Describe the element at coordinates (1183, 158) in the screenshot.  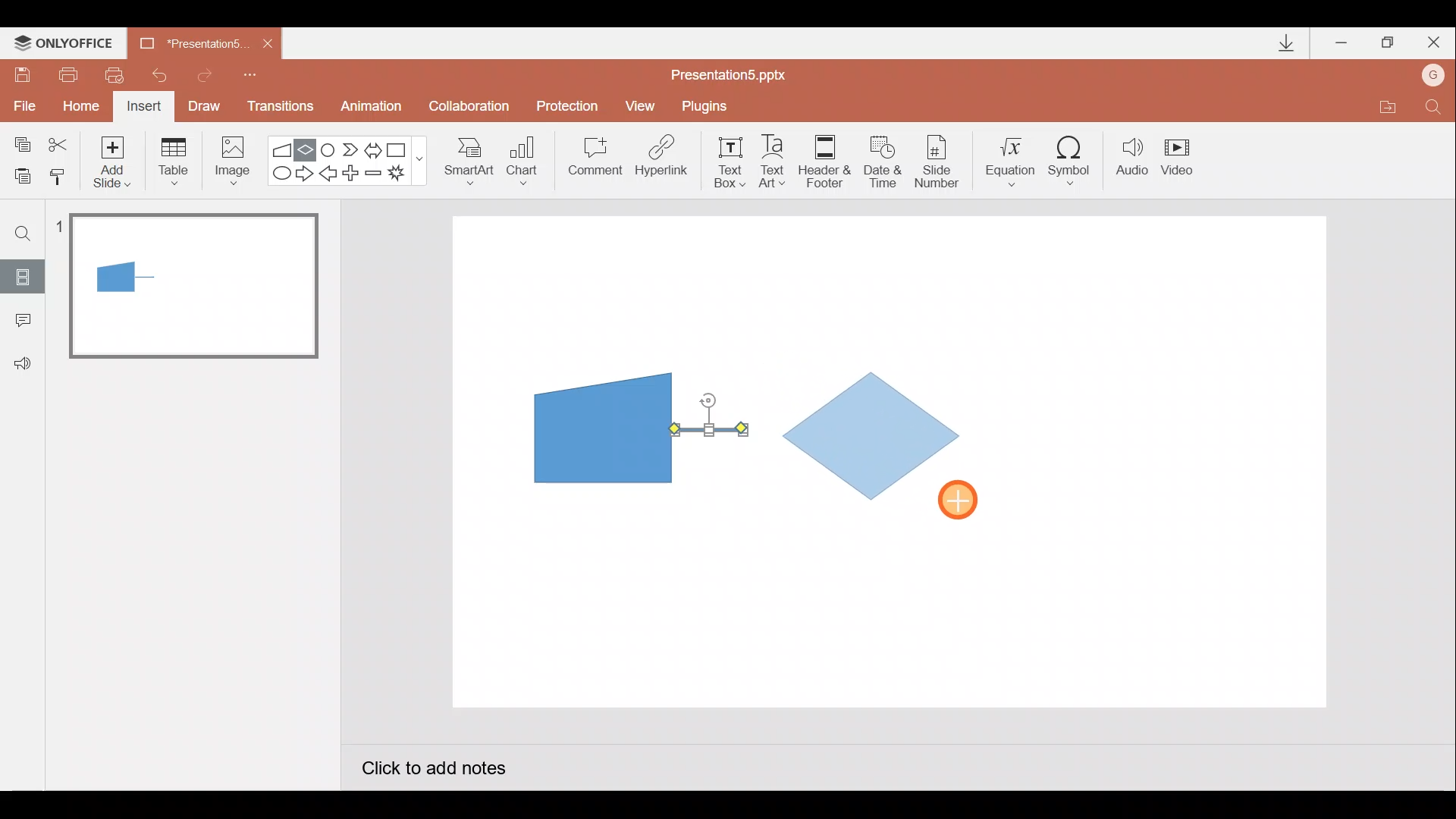
I see `Video` at that location.